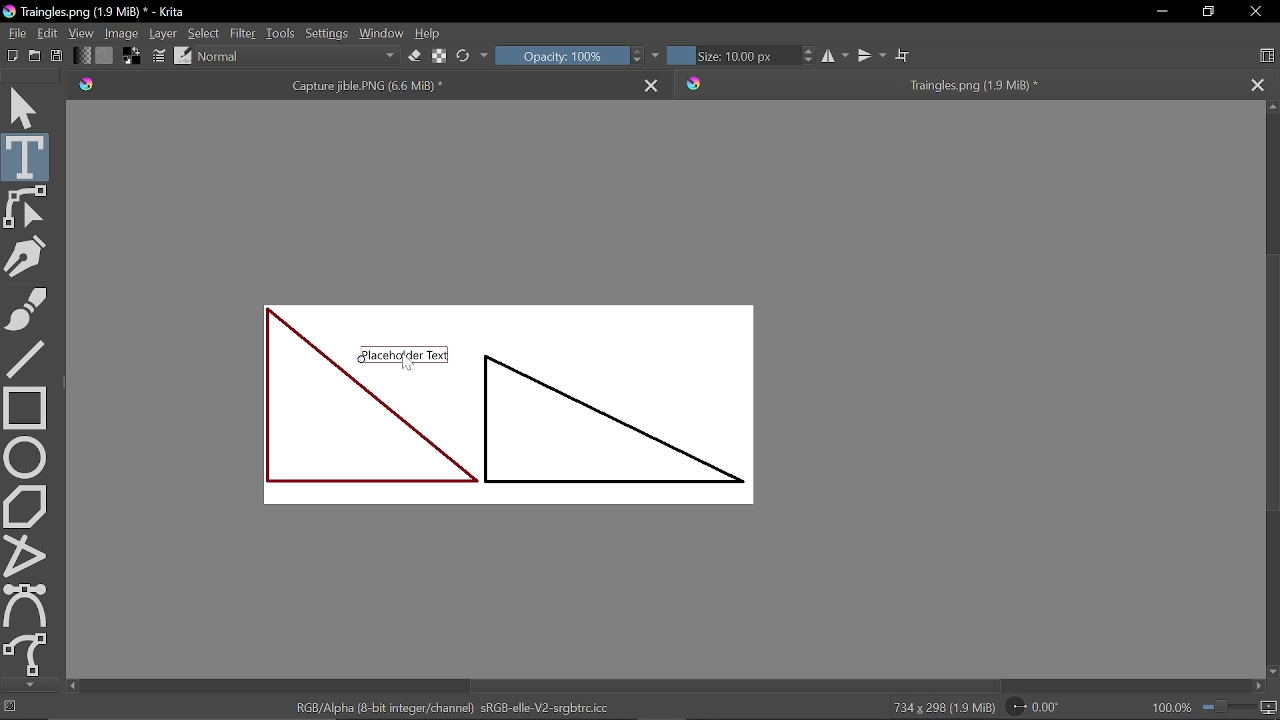 Image resolution: width=1280 pixels, height=720 pixels. What do you see at coordinates (123, 33) in the screenshot?
I see `Image` at bounding box center [123, 33].